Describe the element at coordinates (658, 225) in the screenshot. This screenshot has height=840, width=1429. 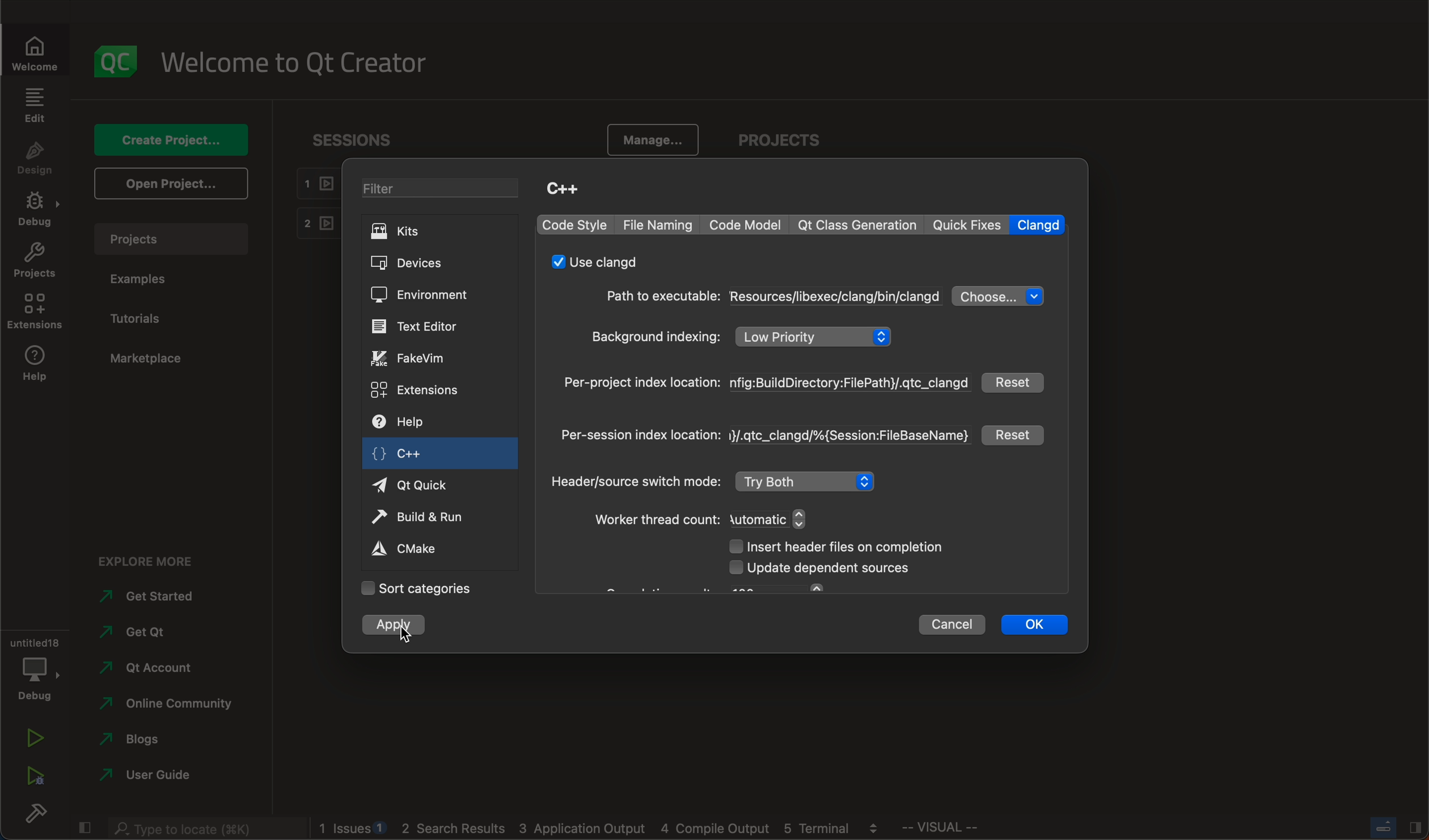
I see `file naming` at that location.